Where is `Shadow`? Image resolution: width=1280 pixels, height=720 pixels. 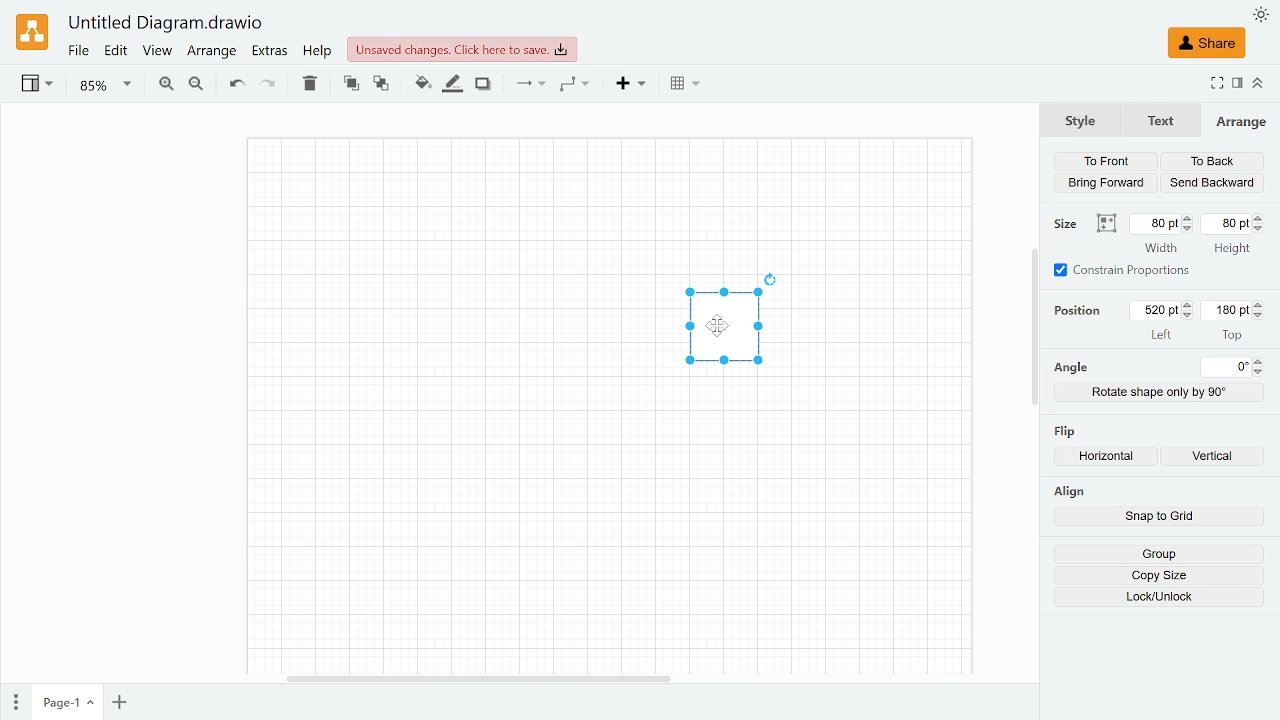 Shadow is located at coordinates (483, 85).